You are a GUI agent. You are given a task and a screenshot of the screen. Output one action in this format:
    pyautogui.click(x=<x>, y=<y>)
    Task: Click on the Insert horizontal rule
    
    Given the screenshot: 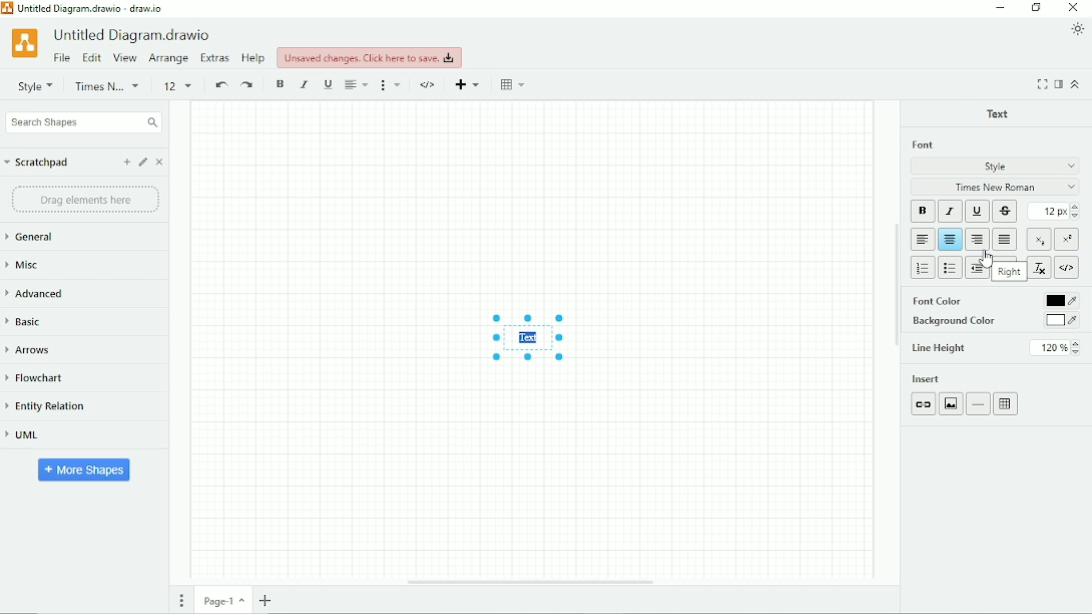 What is the action you would take?
    pyautogui.click(x=978, y=404)
    